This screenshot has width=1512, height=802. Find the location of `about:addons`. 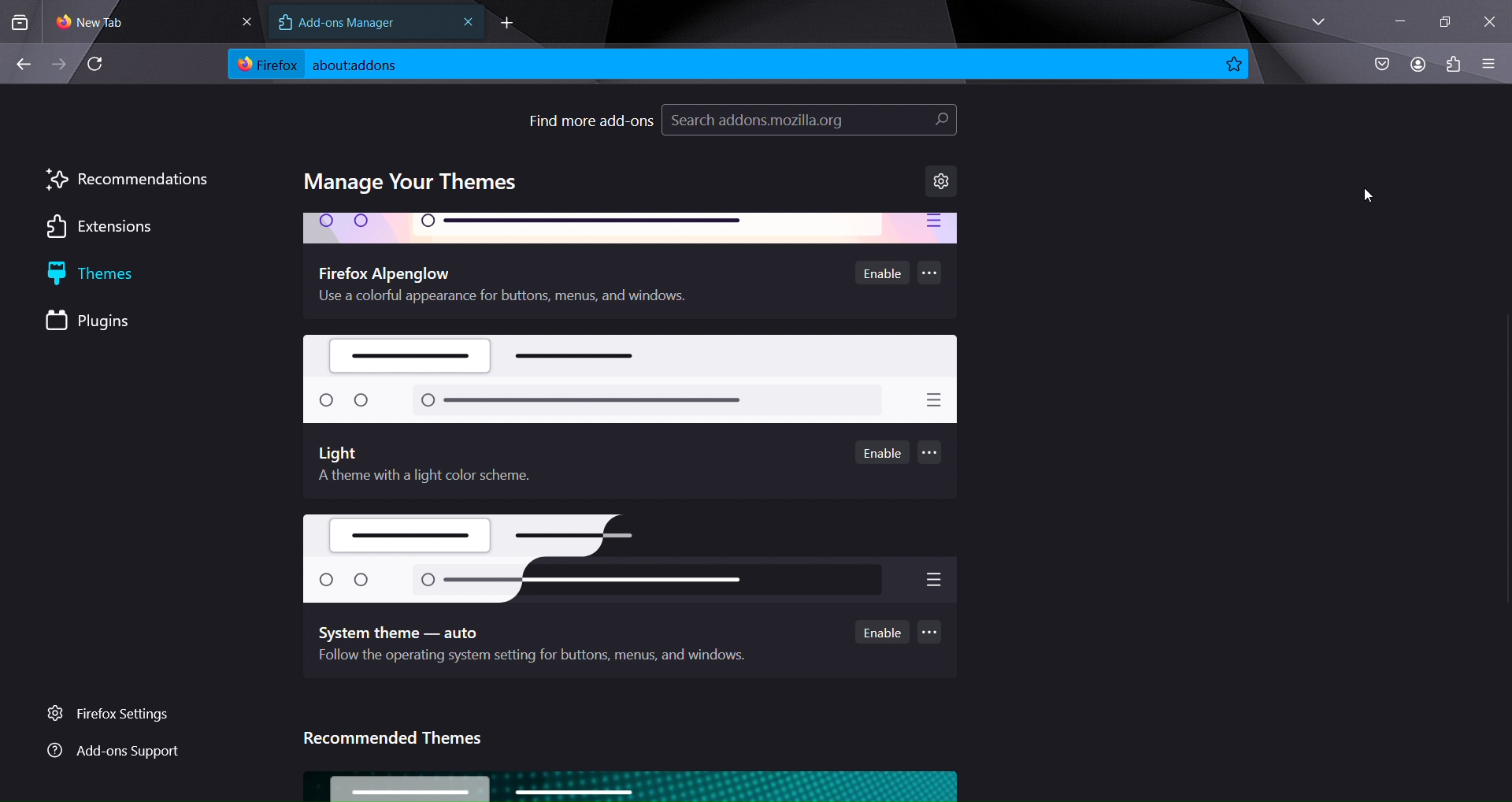

about:addons is located at coordinates (382, 65).